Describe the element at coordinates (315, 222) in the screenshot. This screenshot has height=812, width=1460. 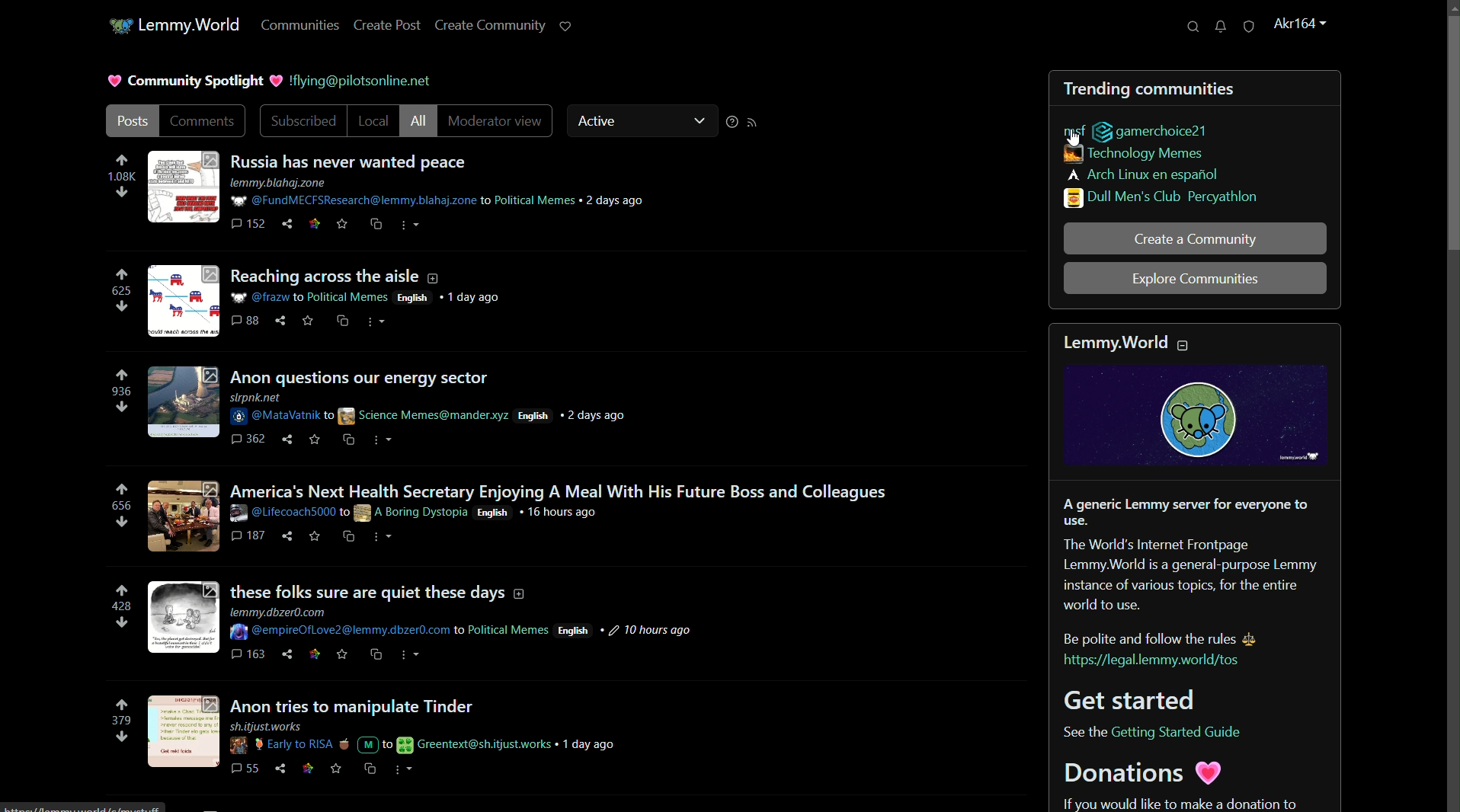
I see `link` at that location.